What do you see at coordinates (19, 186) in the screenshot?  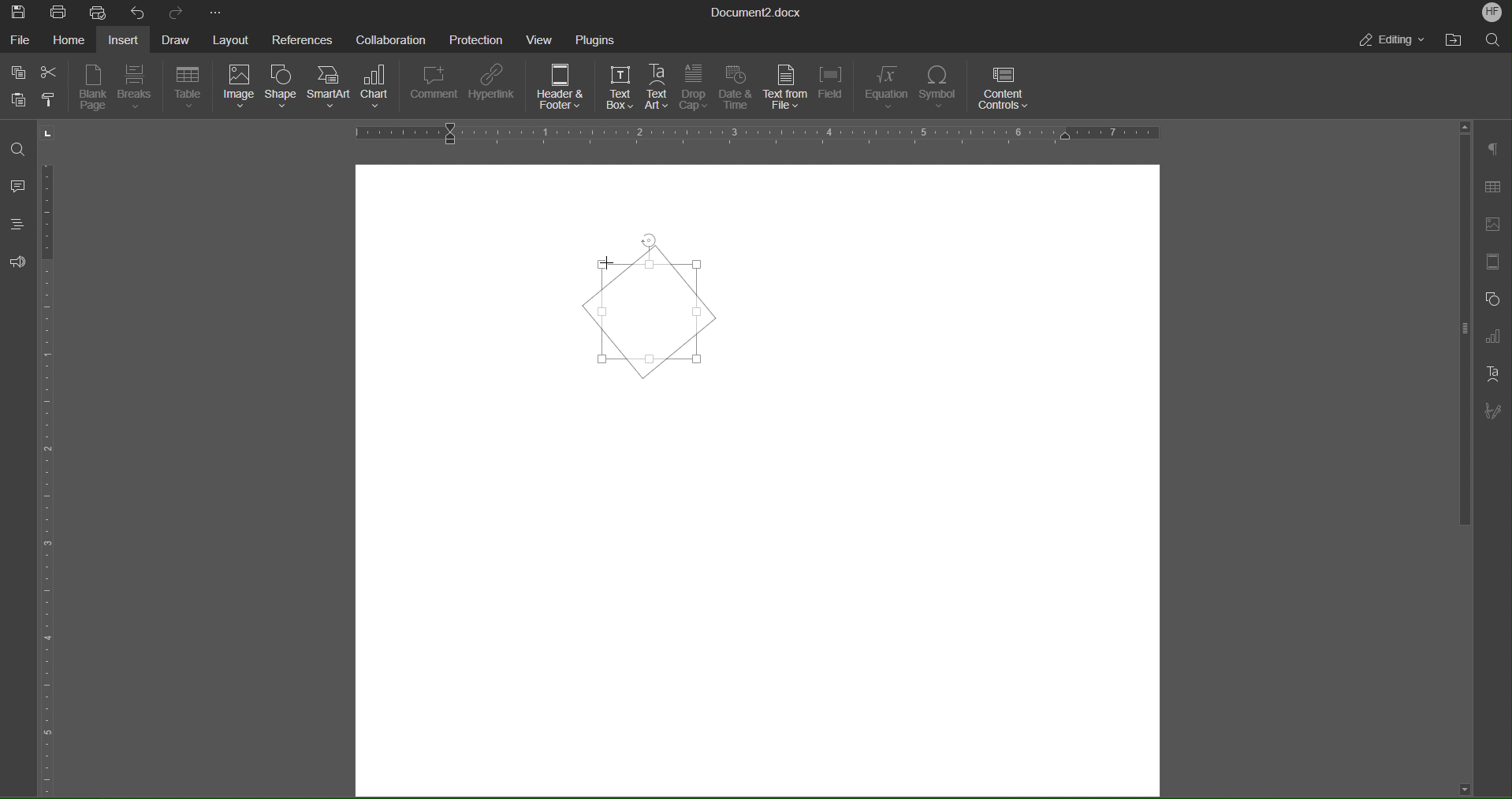 I see `Comments` at bounding box center [19, 186].